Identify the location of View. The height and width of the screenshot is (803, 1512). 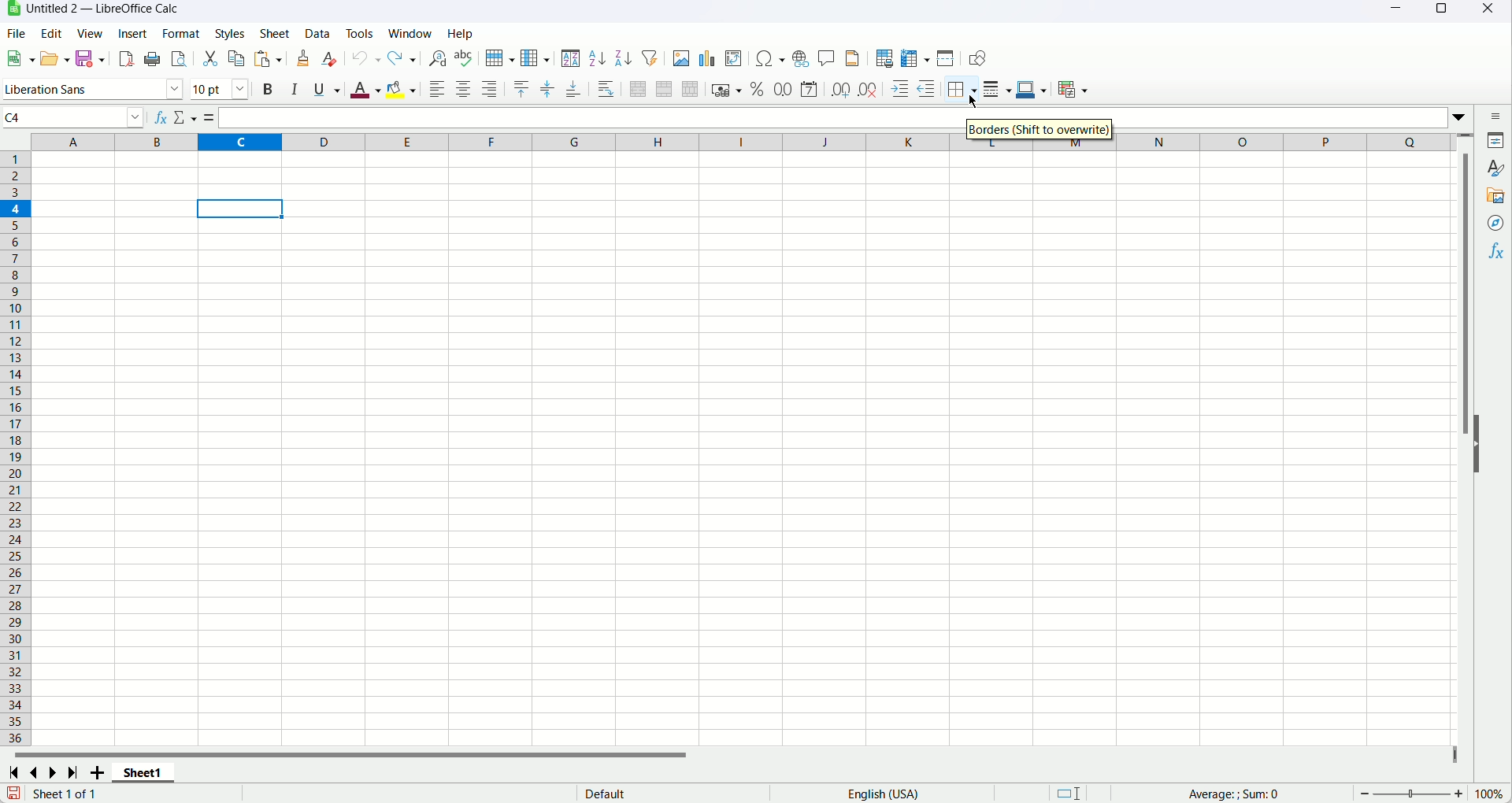
(90, 35).